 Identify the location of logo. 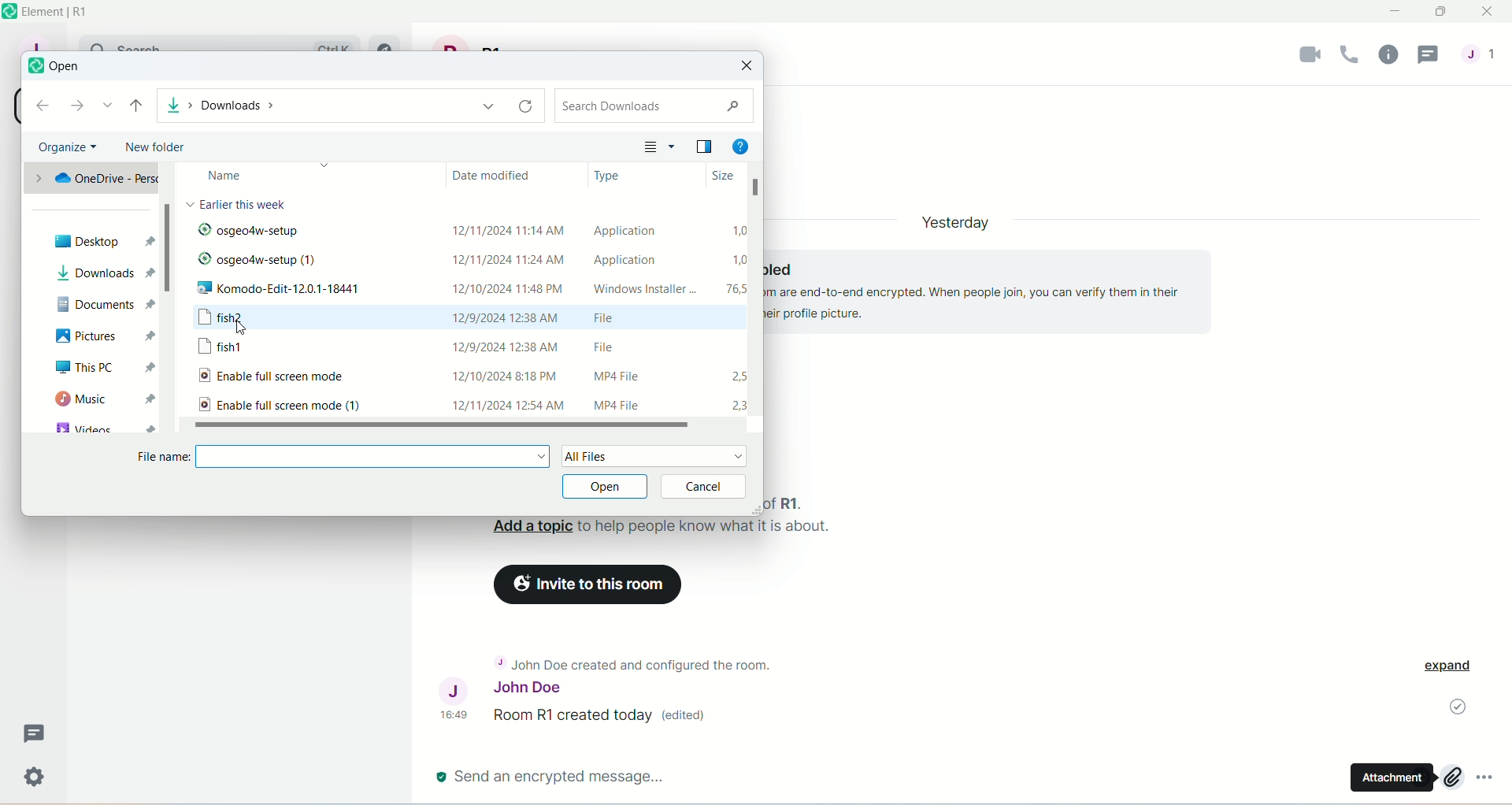
(31, 69).